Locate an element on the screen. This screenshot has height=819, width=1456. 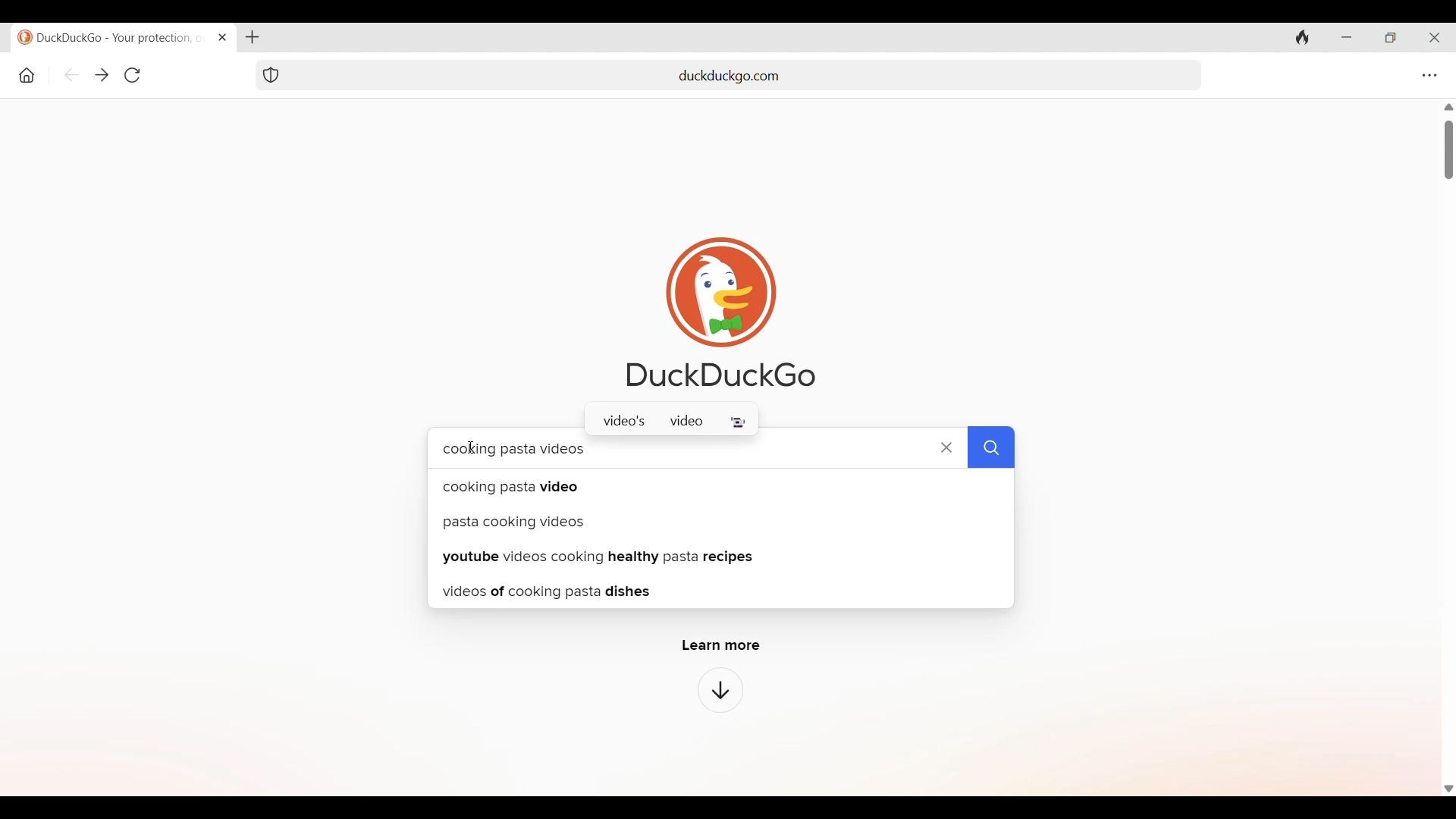
Refresh page is located at coordinates (132, 75).